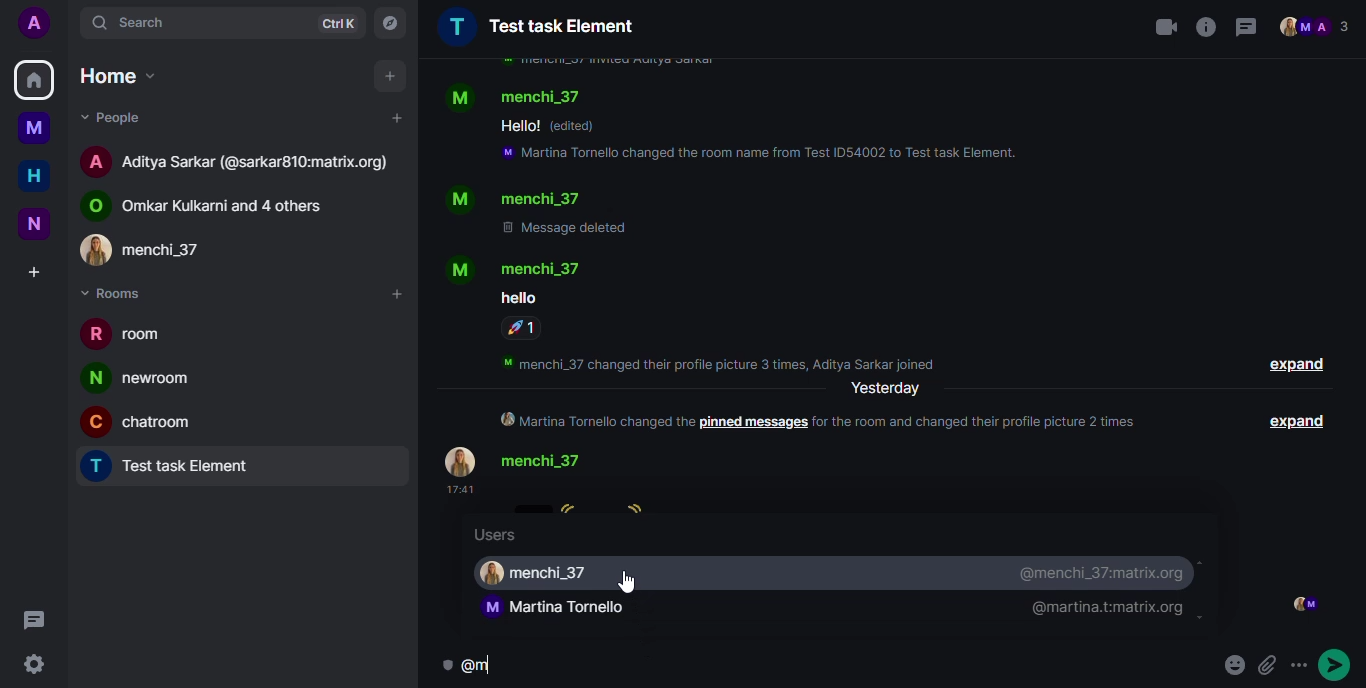 The image size is (1366, 688). What do you see at coordinates (1269, 663) in the screenshot?
I see `emoji` at bounding box center [1269, 663].